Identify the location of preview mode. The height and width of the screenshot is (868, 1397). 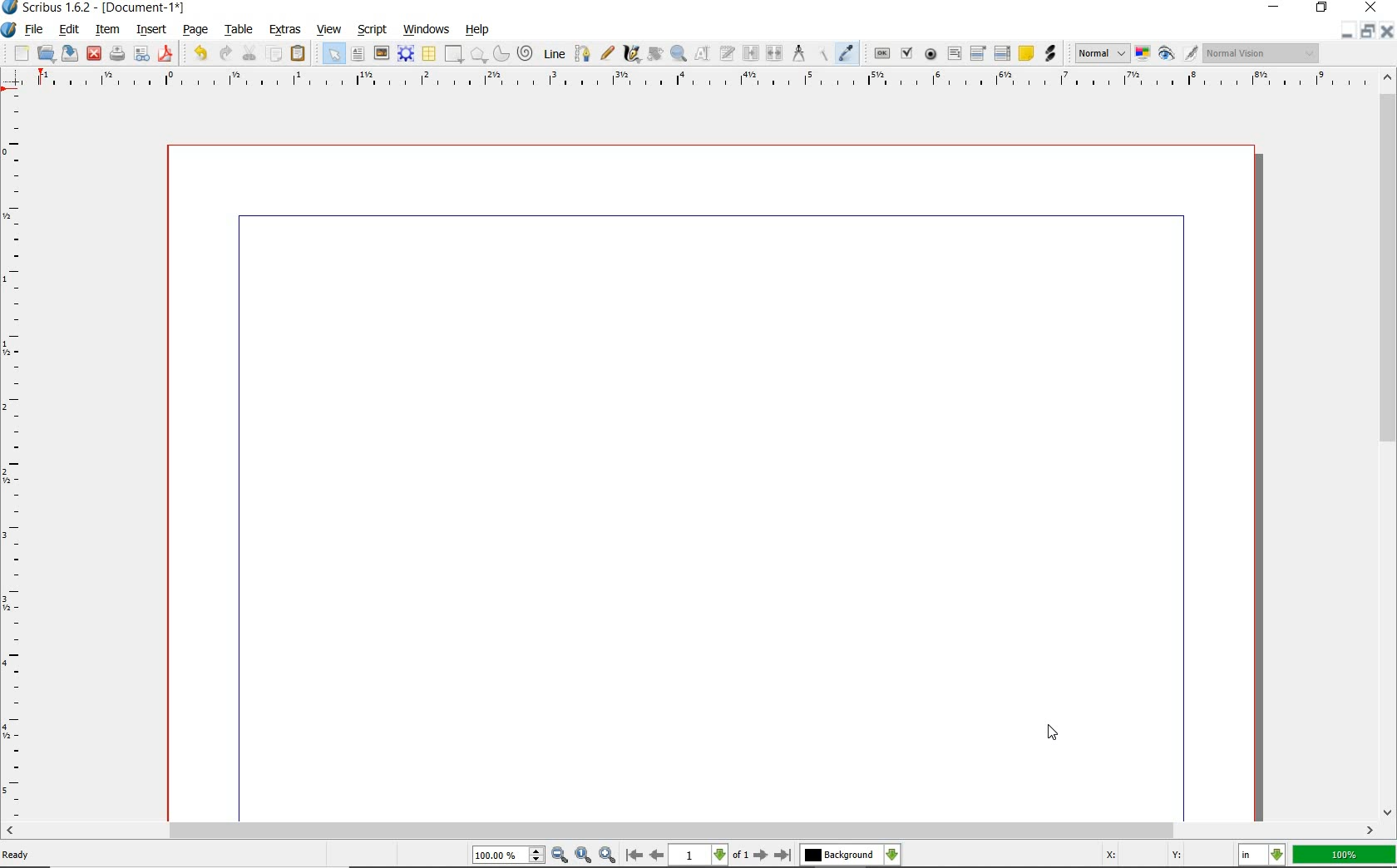
(1177, 53).